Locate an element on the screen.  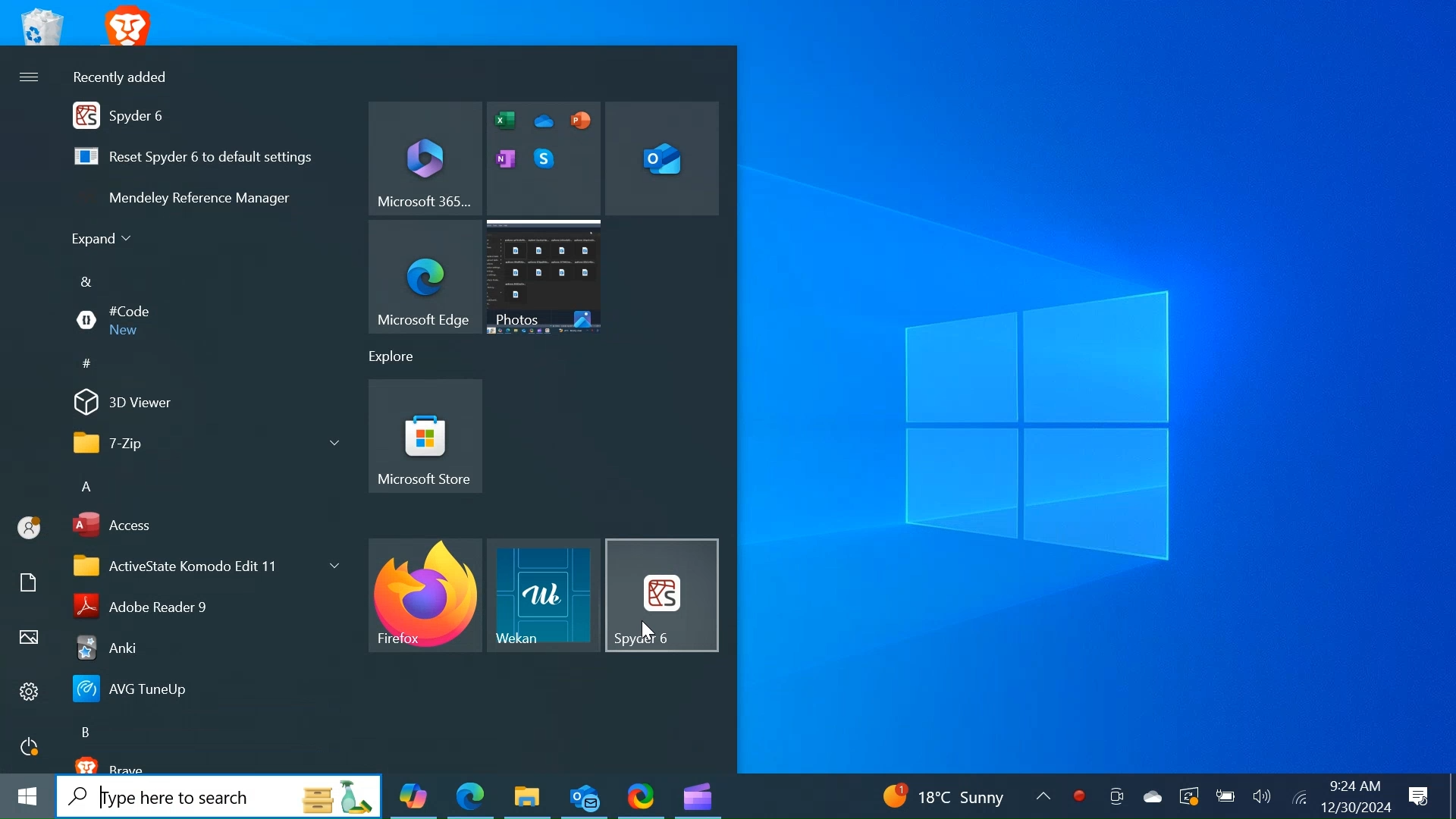
Microsoft Edge is located at coordinates (422, 278).